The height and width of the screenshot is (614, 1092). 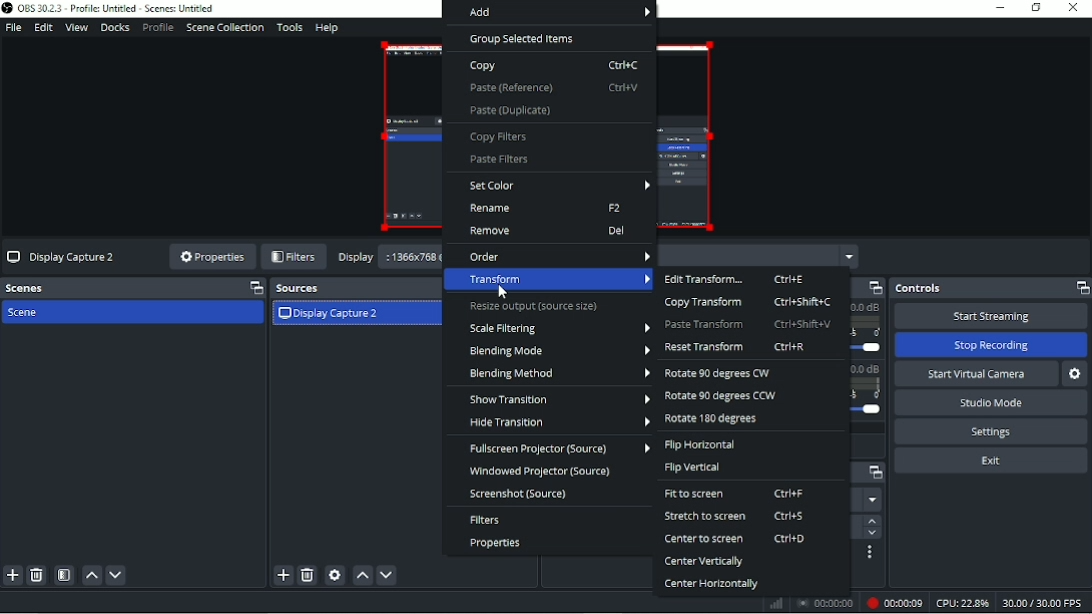 I want to click on Sources, so click(x=351, y=288).